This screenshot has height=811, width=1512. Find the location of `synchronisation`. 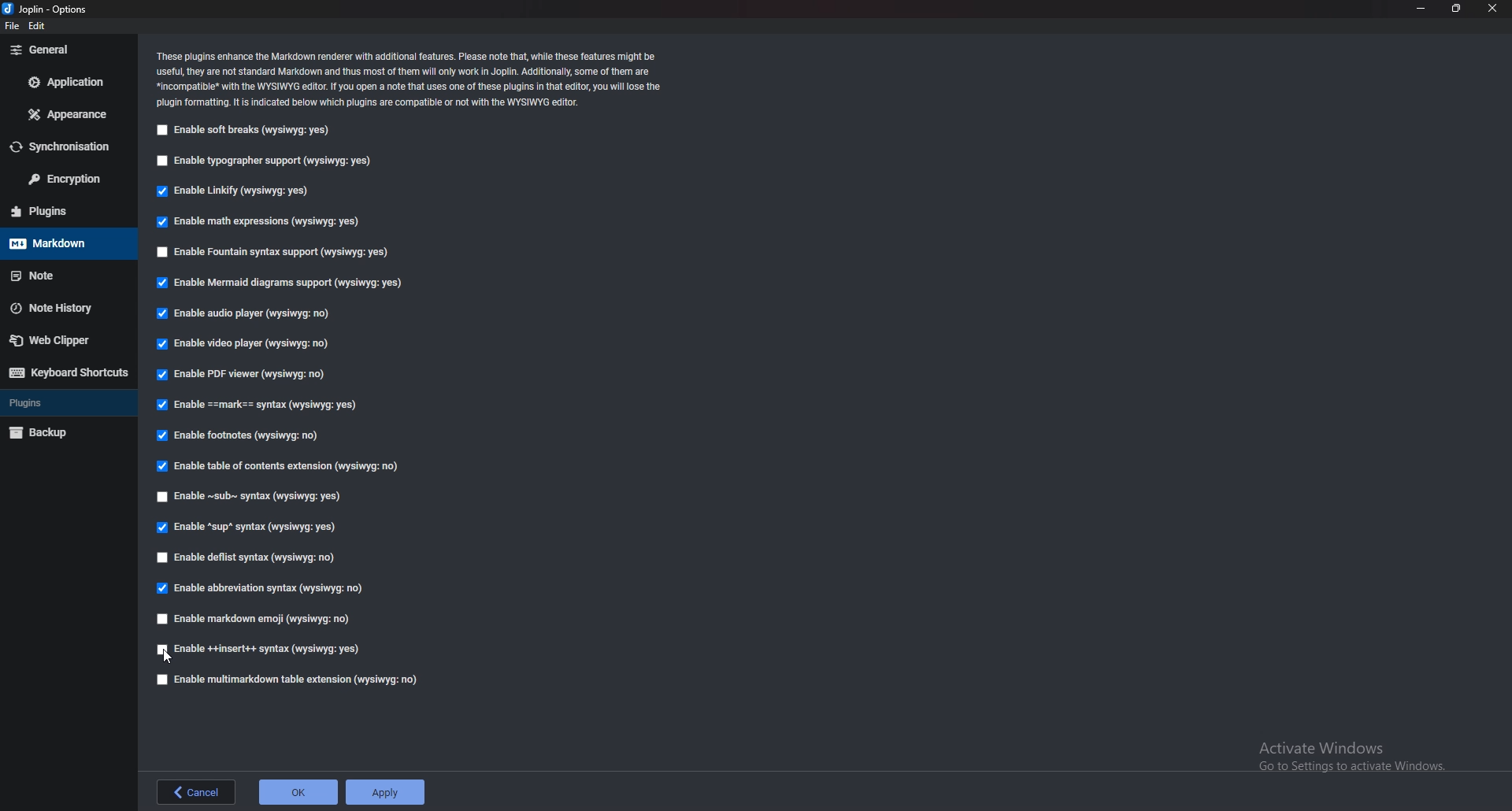

synchronisation is located at coordinates (61, 146).